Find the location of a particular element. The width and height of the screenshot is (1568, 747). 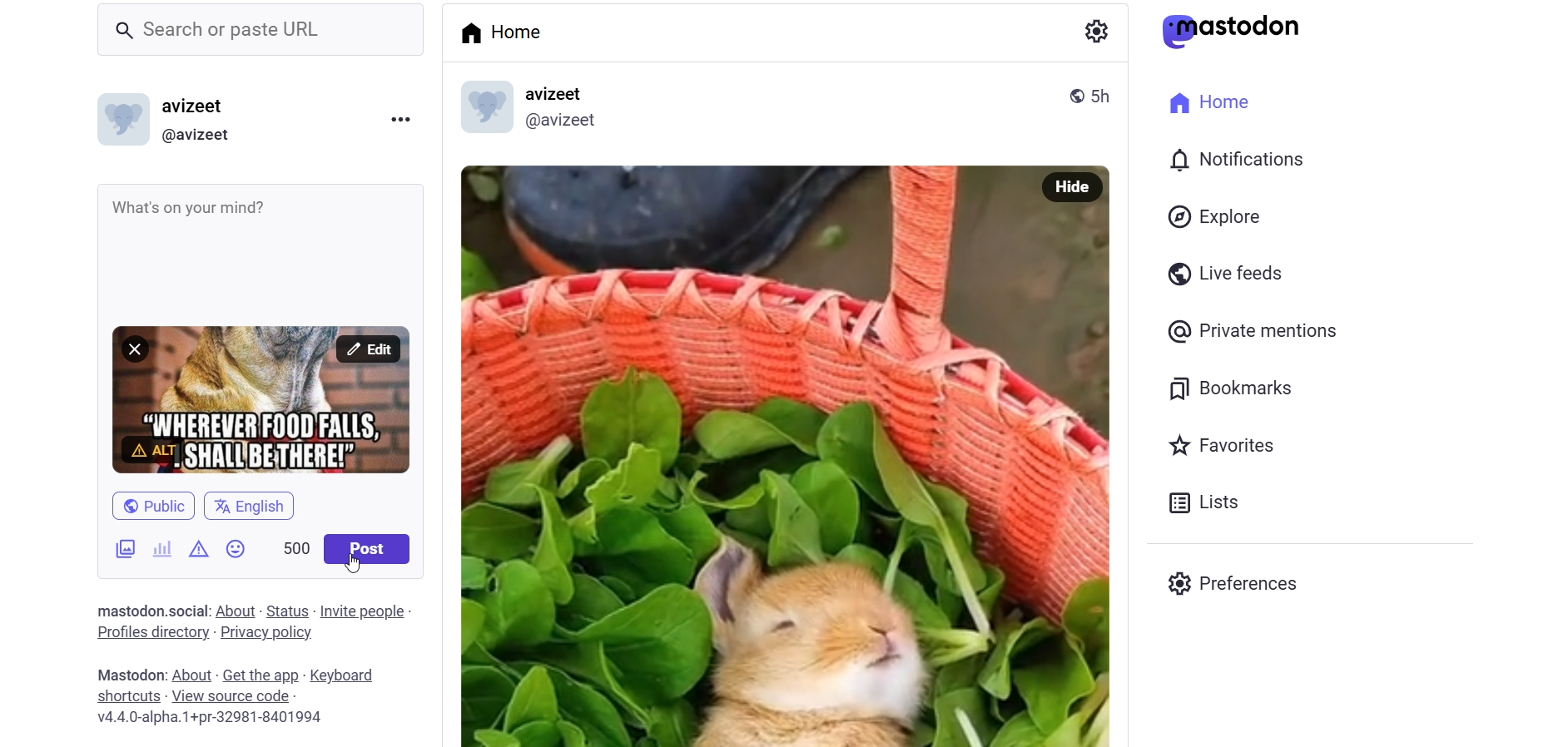

notification is located at coordinates (1238, 160).